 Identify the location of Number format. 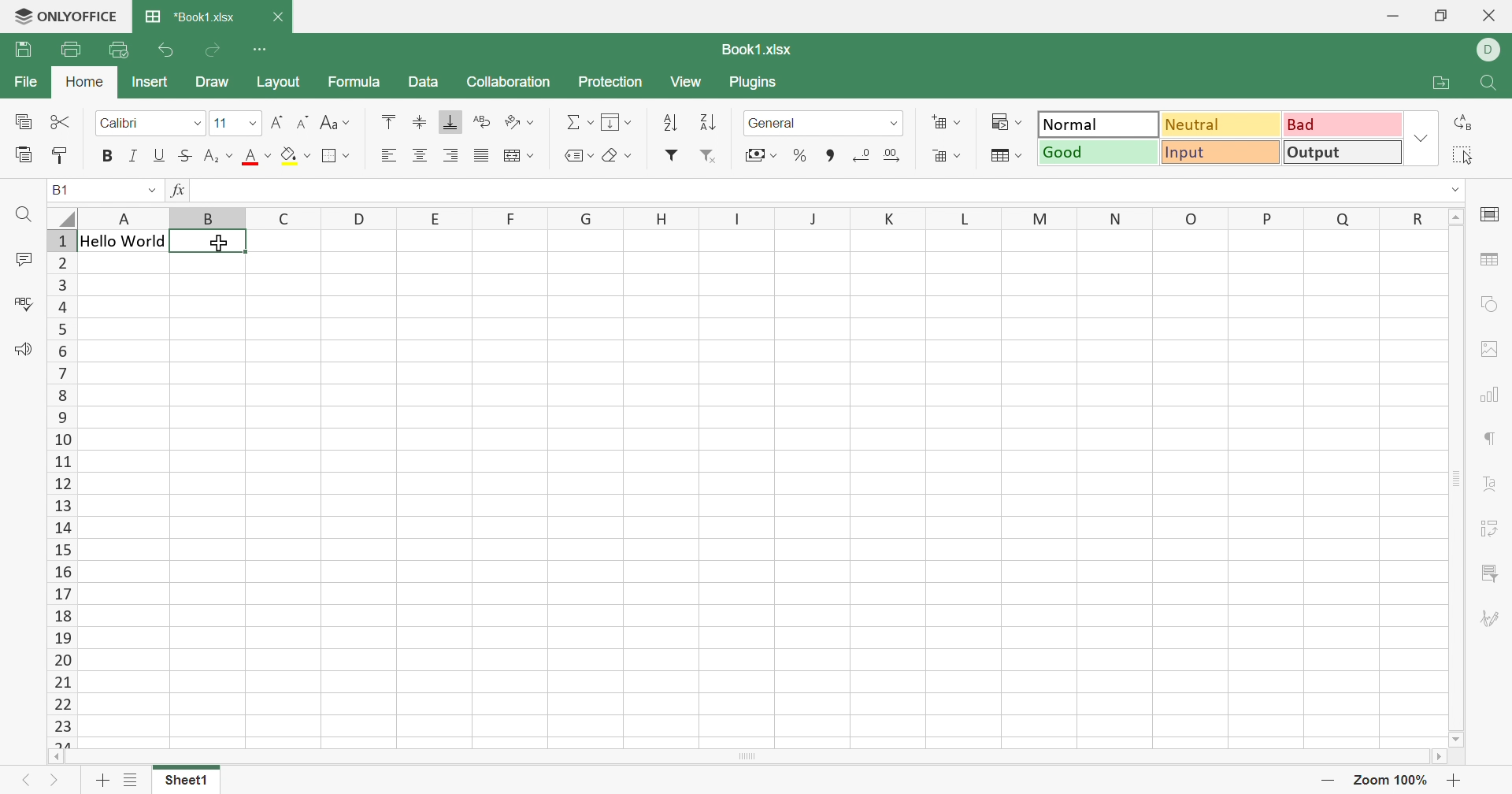
(821, 123).